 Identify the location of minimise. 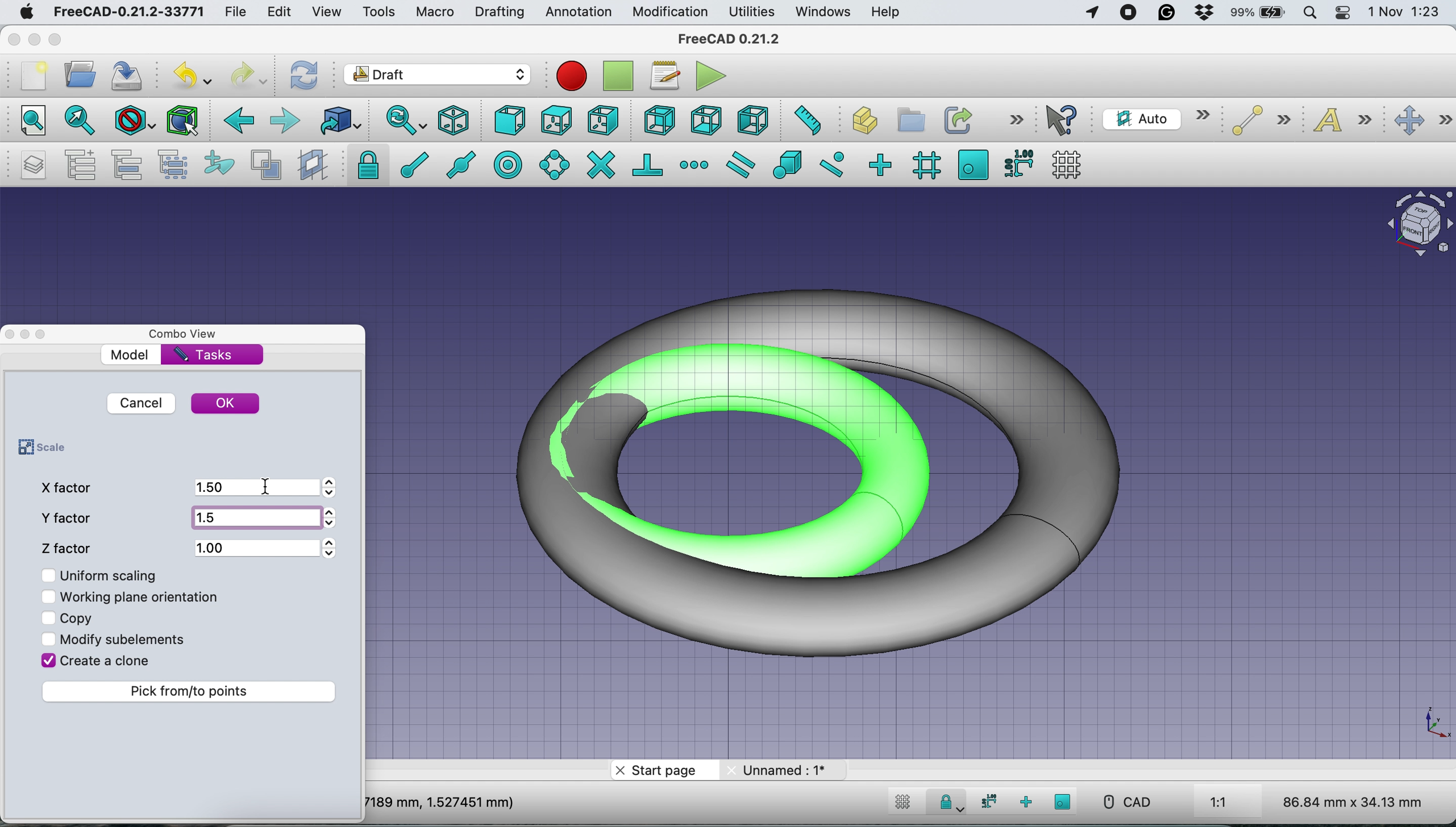
(34, 36).